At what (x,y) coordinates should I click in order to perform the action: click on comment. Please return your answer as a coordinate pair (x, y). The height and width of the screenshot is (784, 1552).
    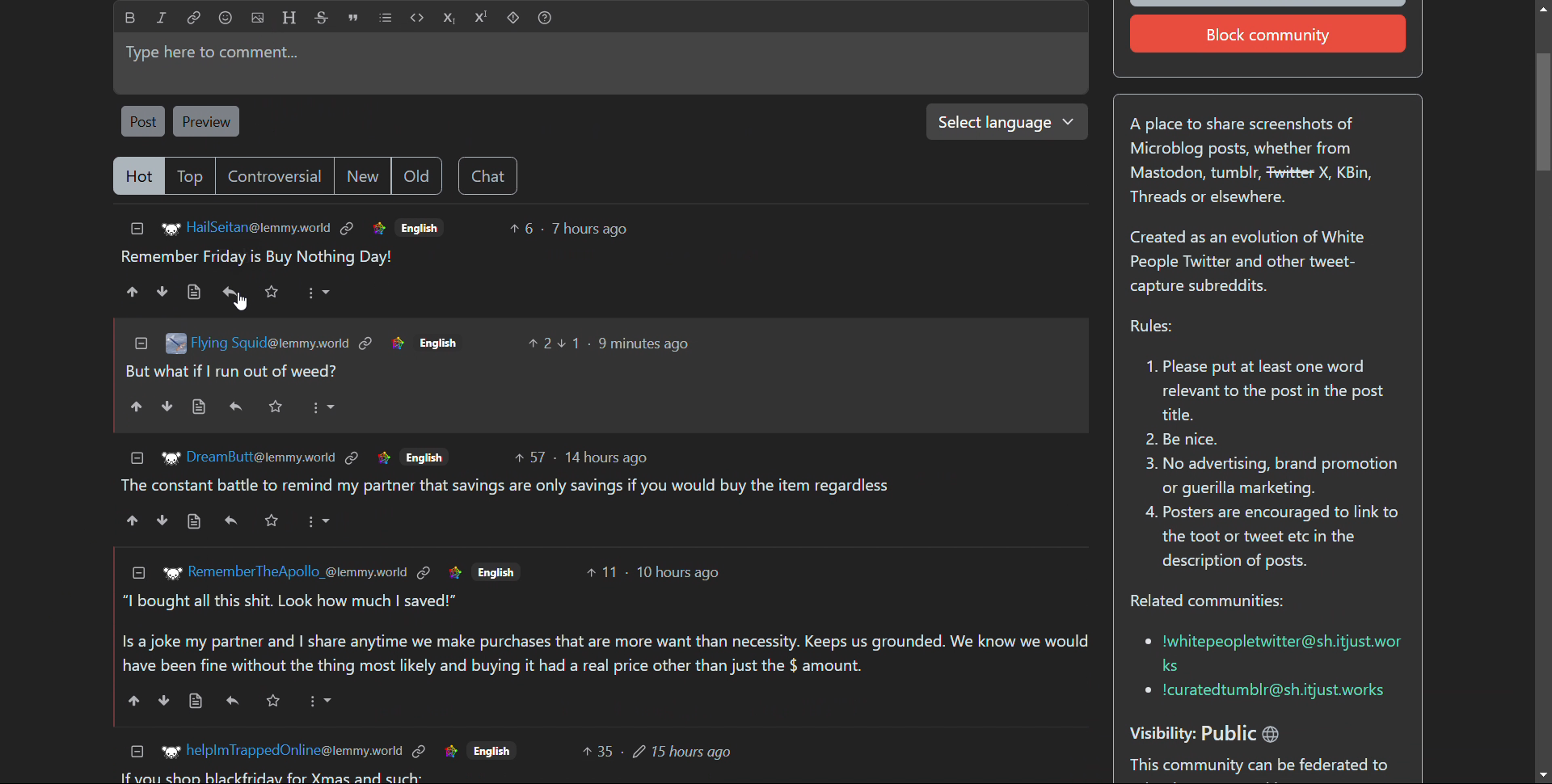
    Looking at the image, I should click on (504, 485).